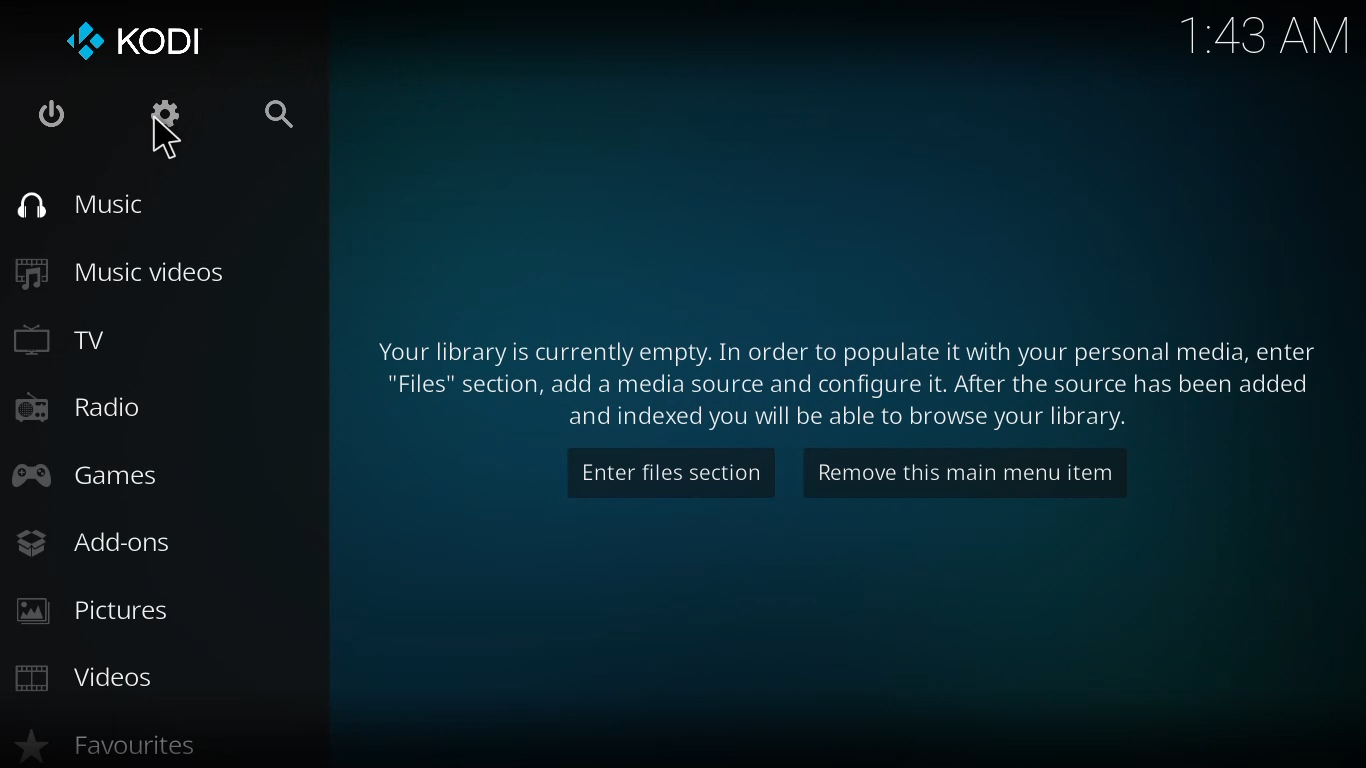  I want to click on videos, so click(87, 672).